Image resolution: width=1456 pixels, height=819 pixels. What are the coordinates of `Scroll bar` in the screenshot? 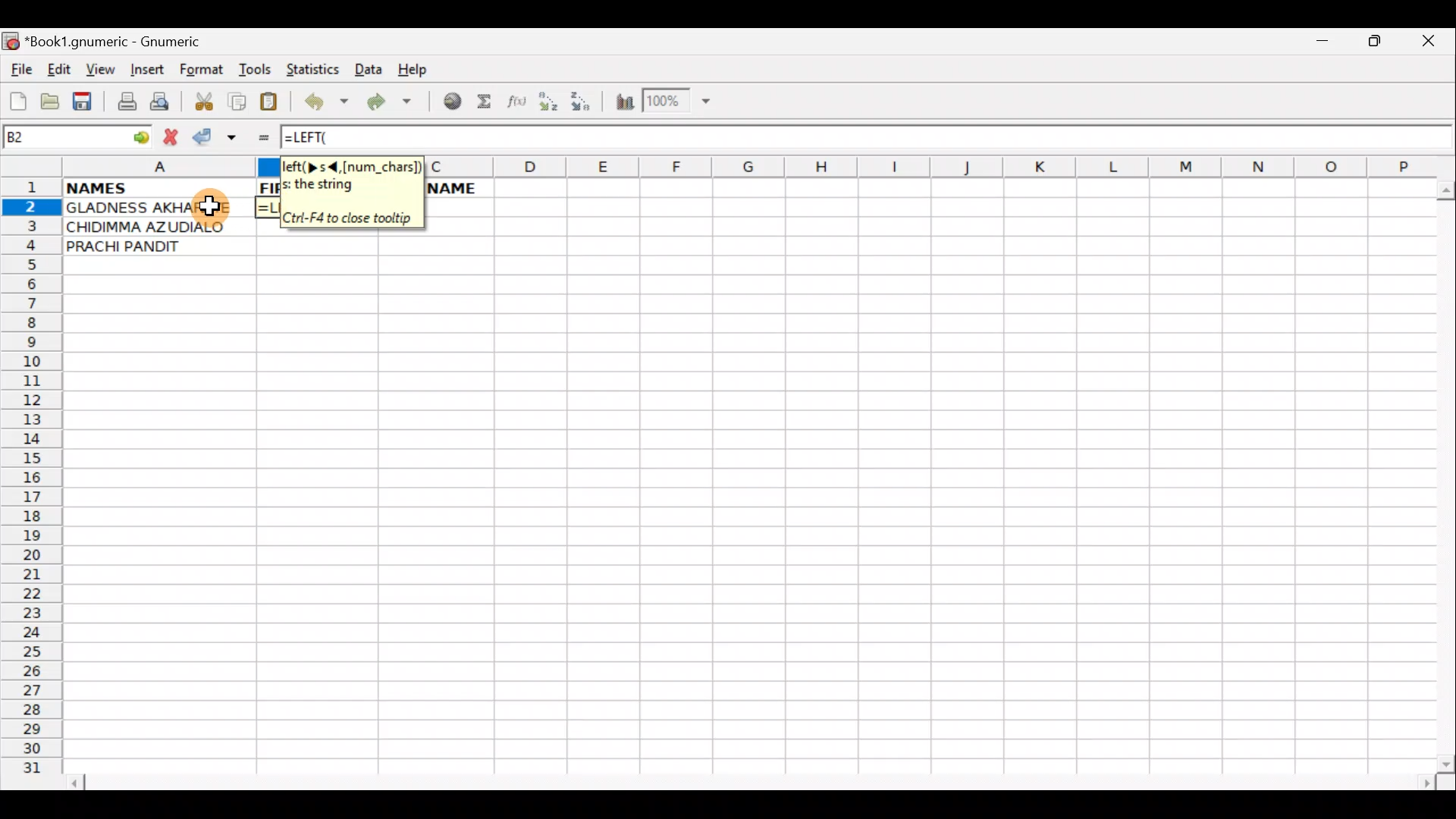 It's located at (754, 780).